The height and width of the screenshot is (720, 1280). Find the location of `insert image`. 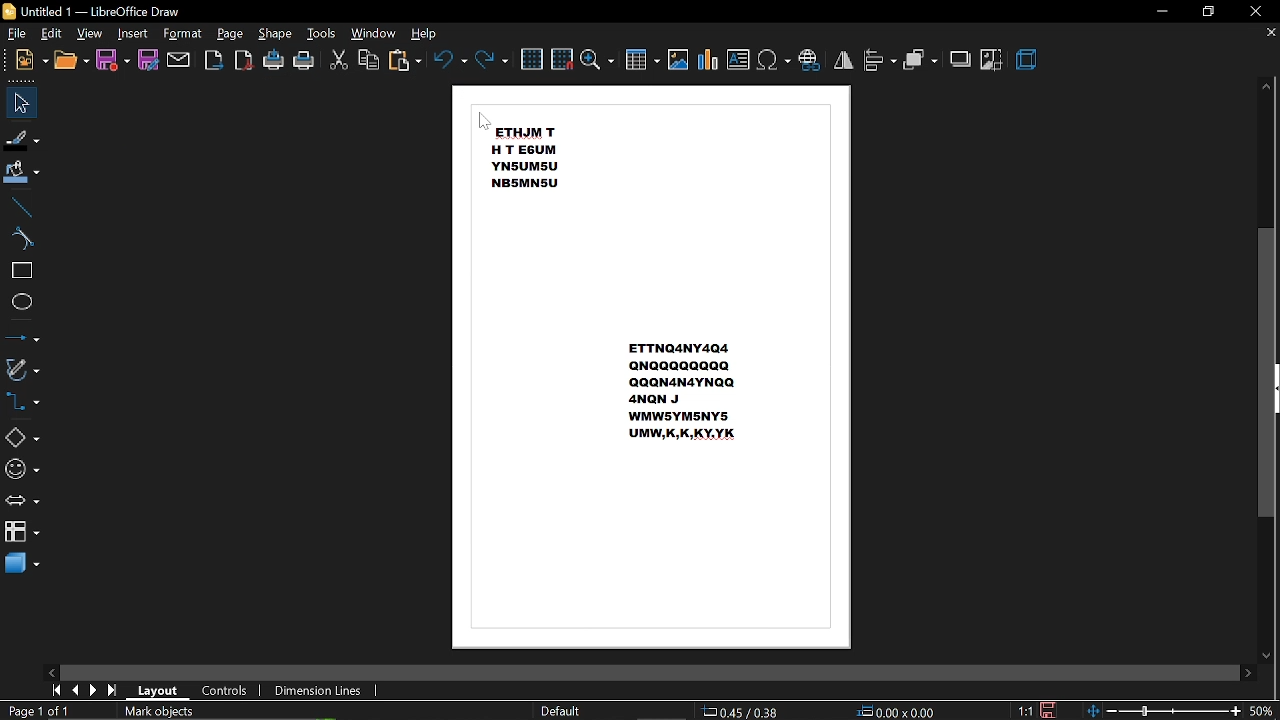

insert image is located at coordinates (678, 60).